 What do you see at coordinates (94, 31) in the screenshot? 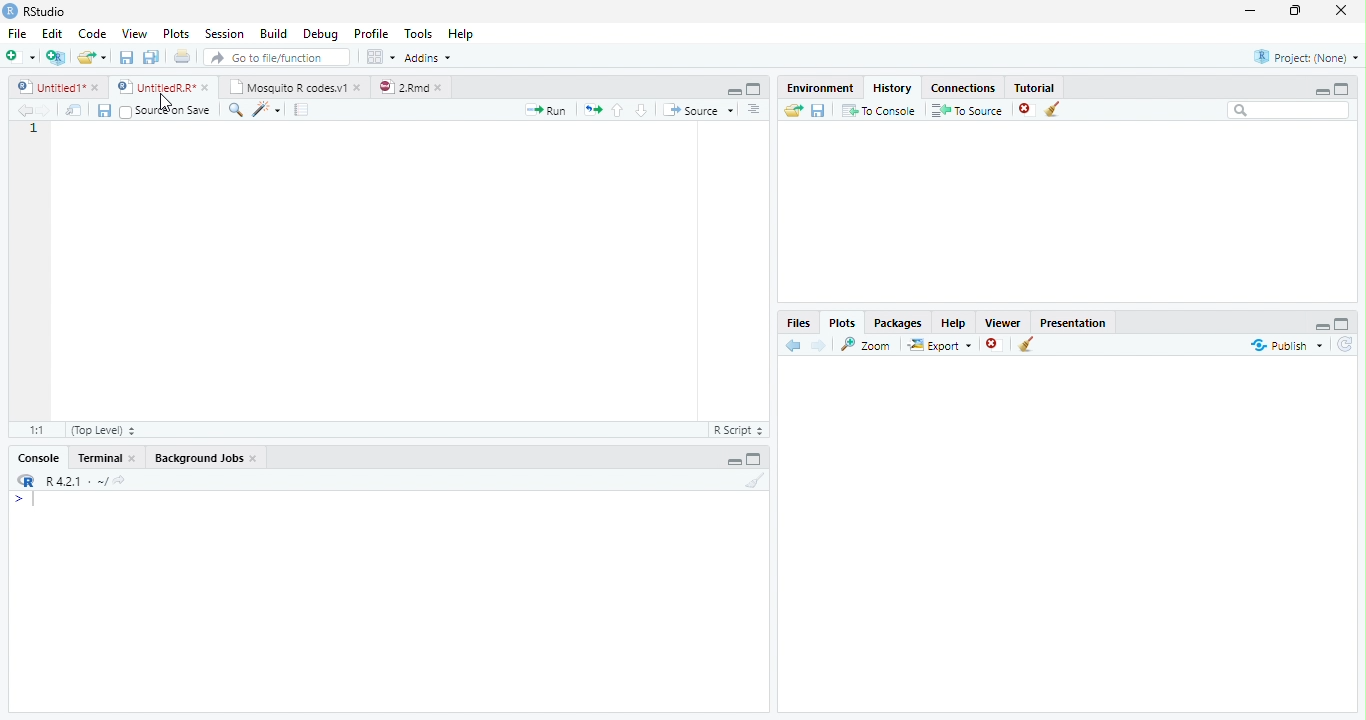
I see `Code` at bounding box center [94, 31].